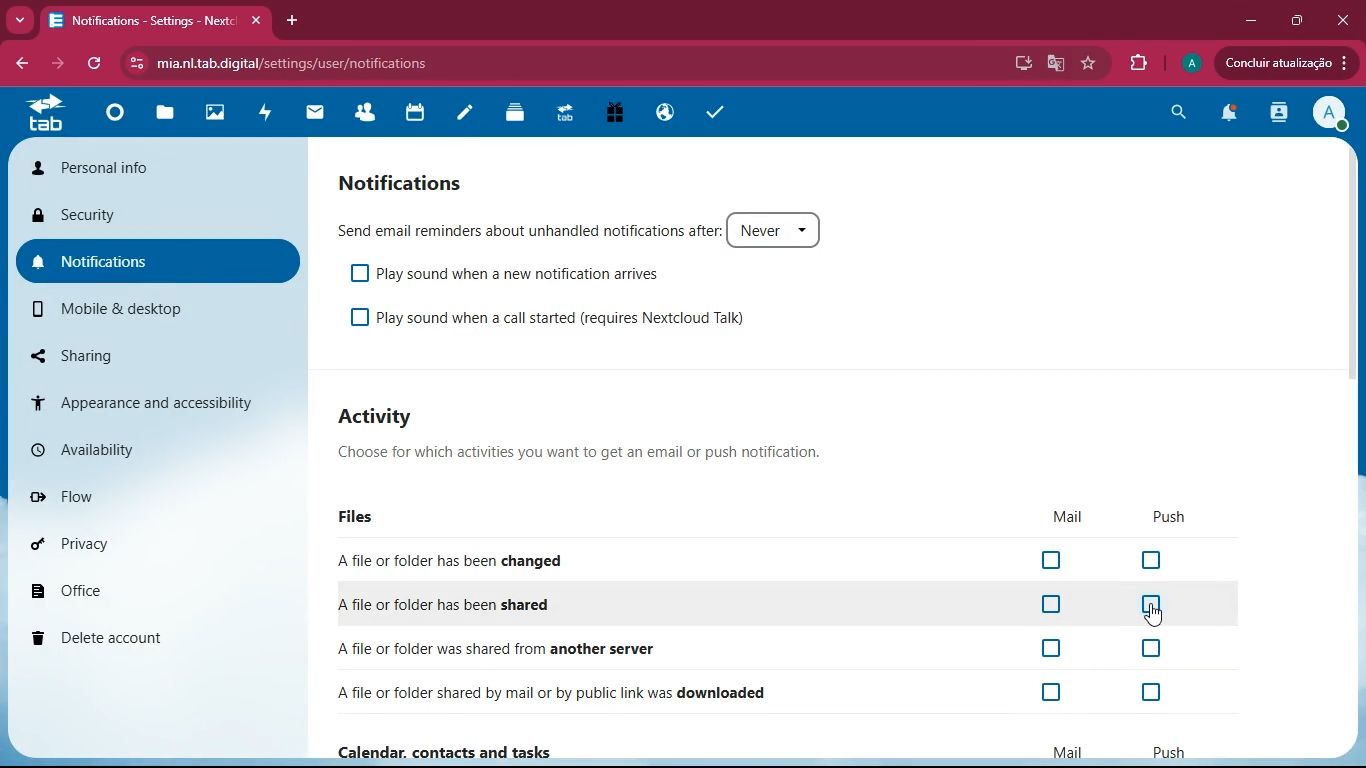  Describe the element at coordinates (604, 647) in the screenshot. I see `another server` at that location.